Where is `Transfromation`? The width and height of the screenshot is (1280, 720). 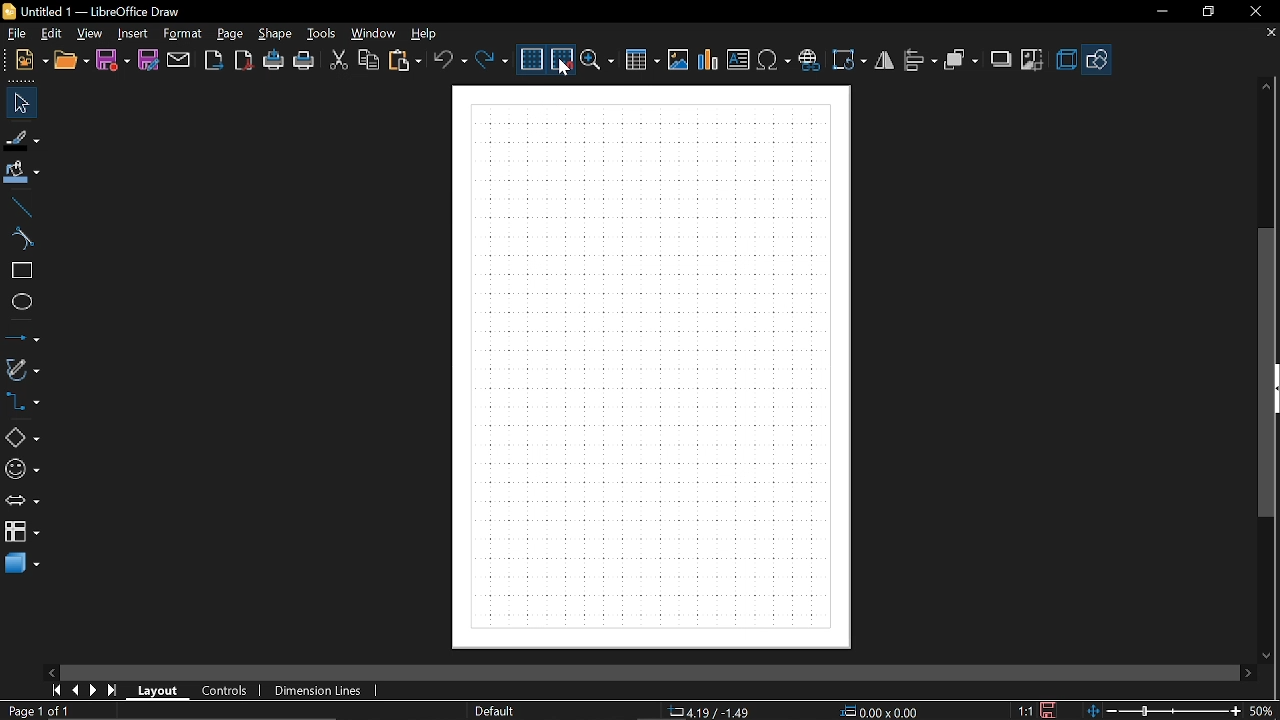 Transfromation is located at coordinates (852, 59).